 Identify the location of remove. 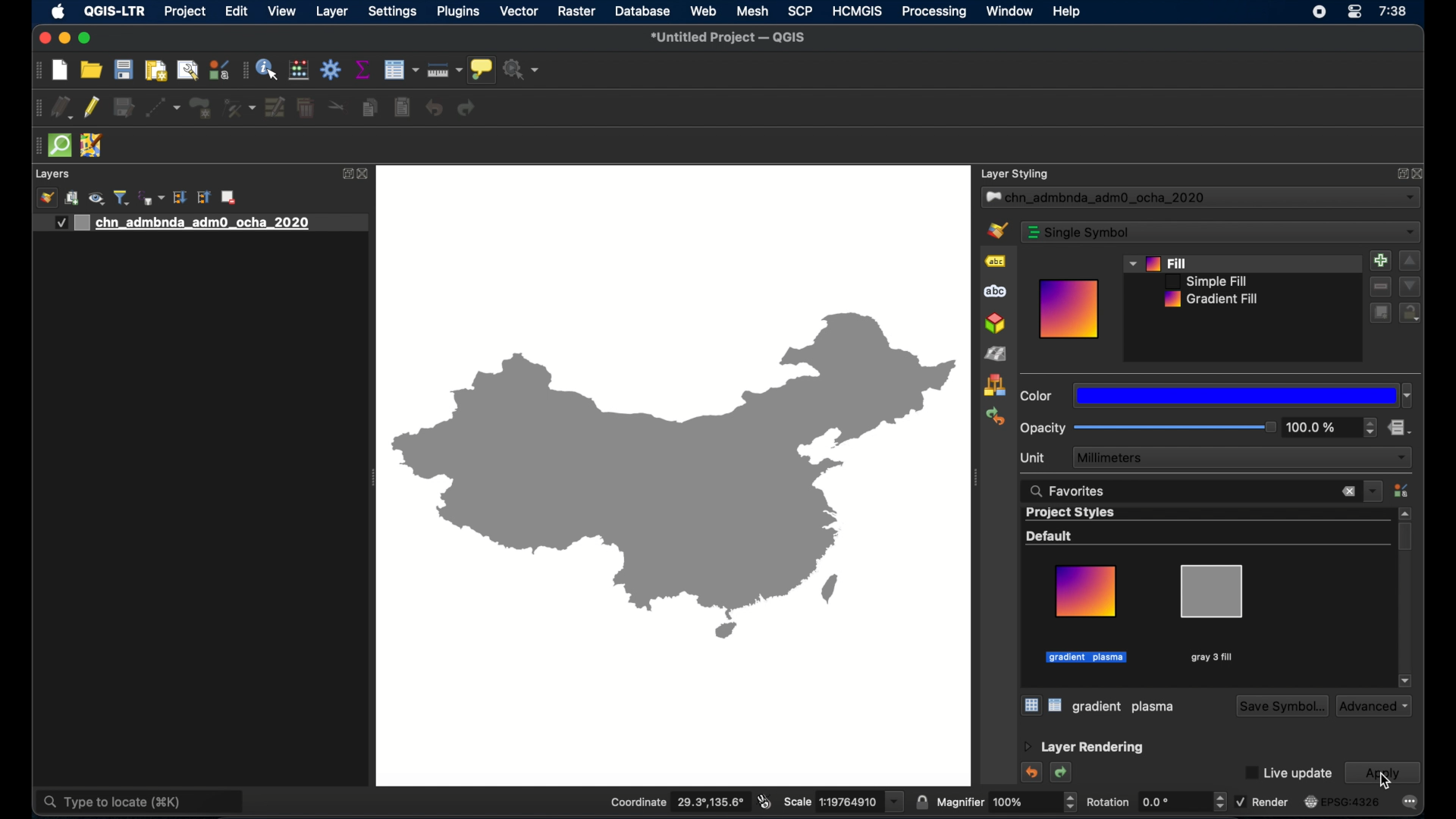
(1379, 287).